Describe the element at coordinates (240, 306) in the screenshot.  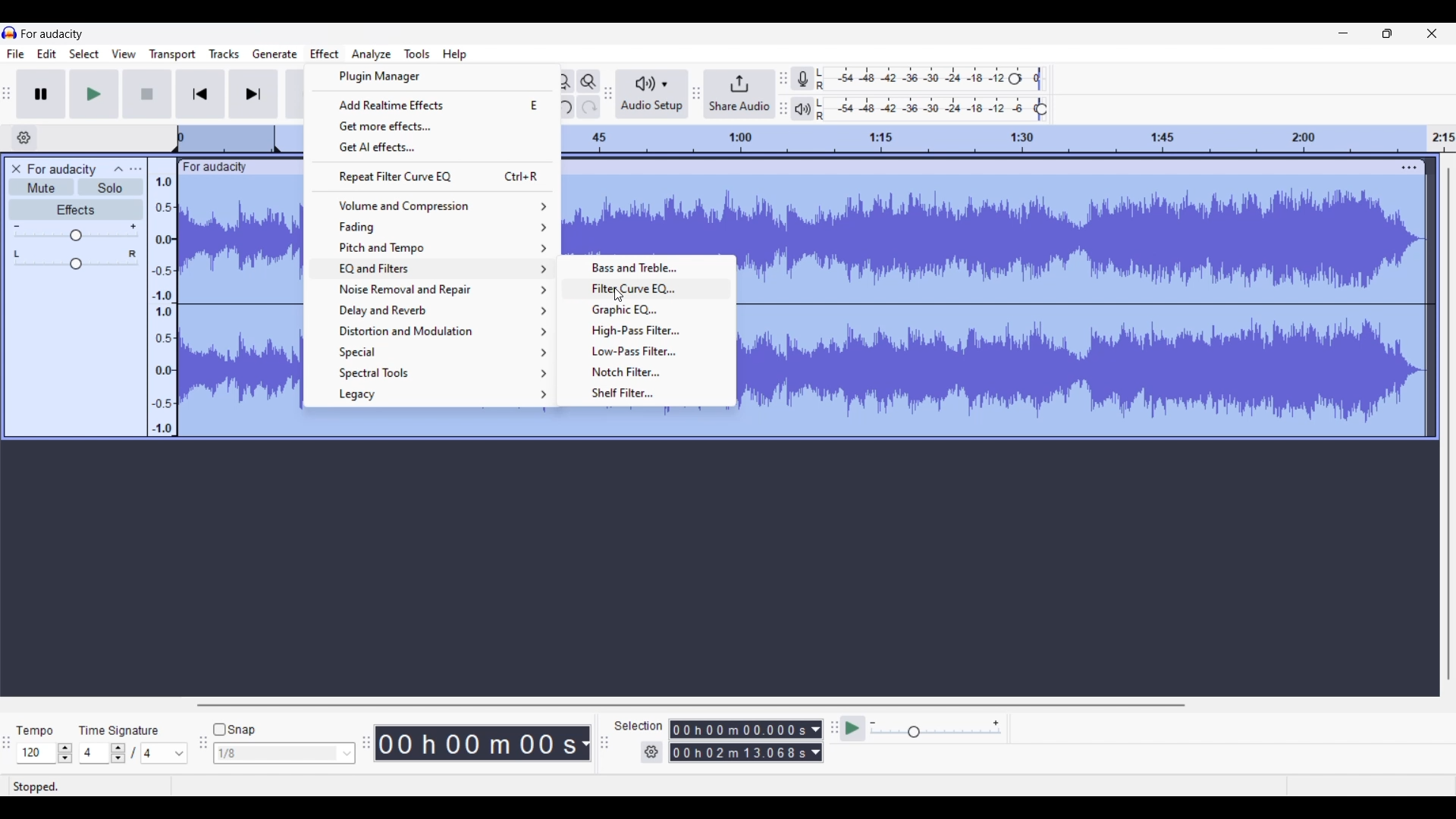
I see `Track selected` at that location.